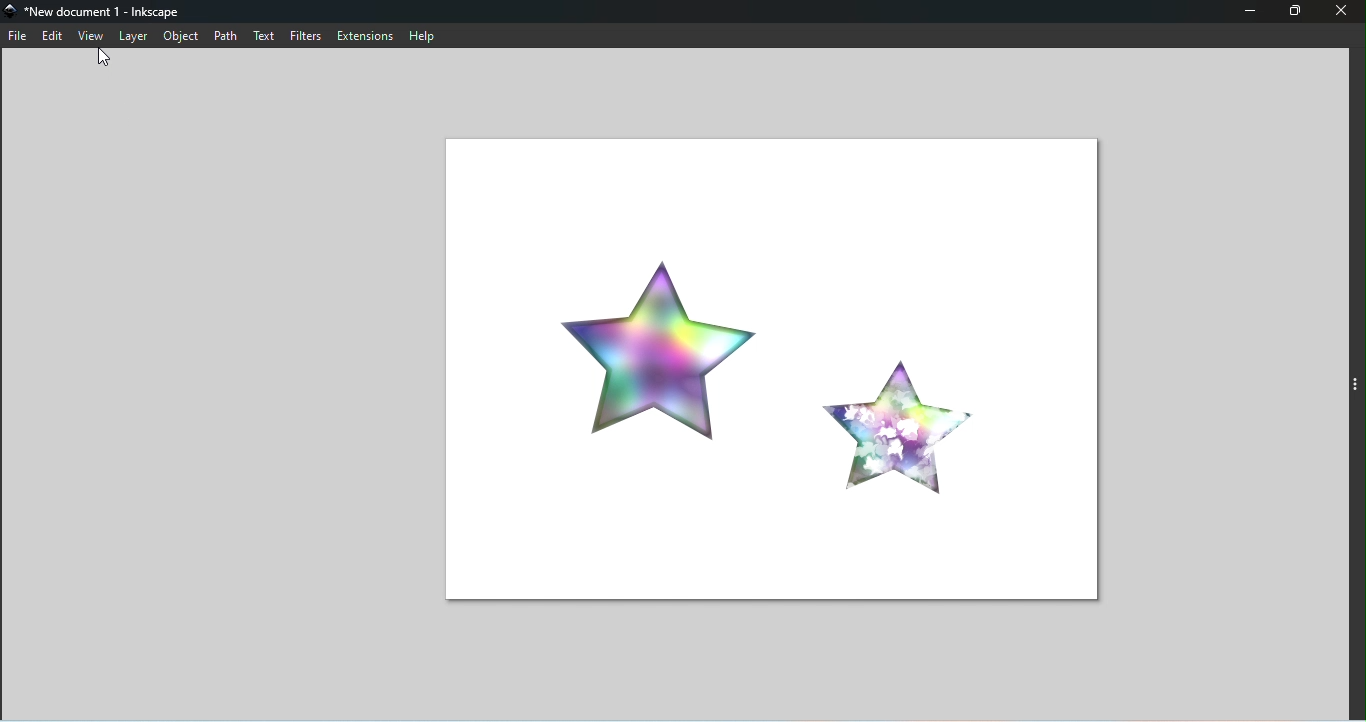  What do you see at coordinates (53, 37) in the screenshot?
I see `Edit` at bounding box center [53, 37].